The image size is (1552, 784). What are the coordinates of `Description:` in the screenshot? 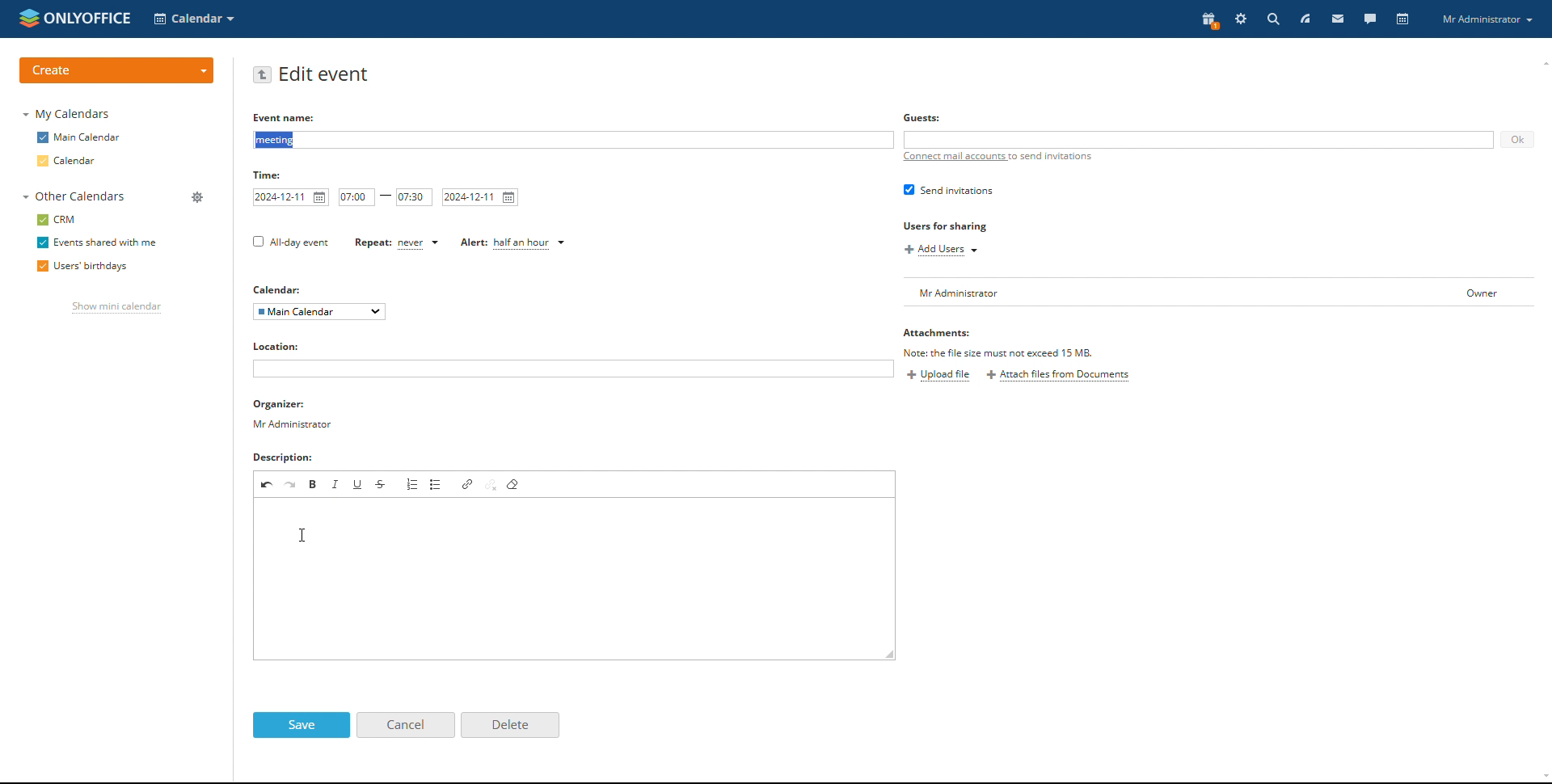 It's located at (284, 456).